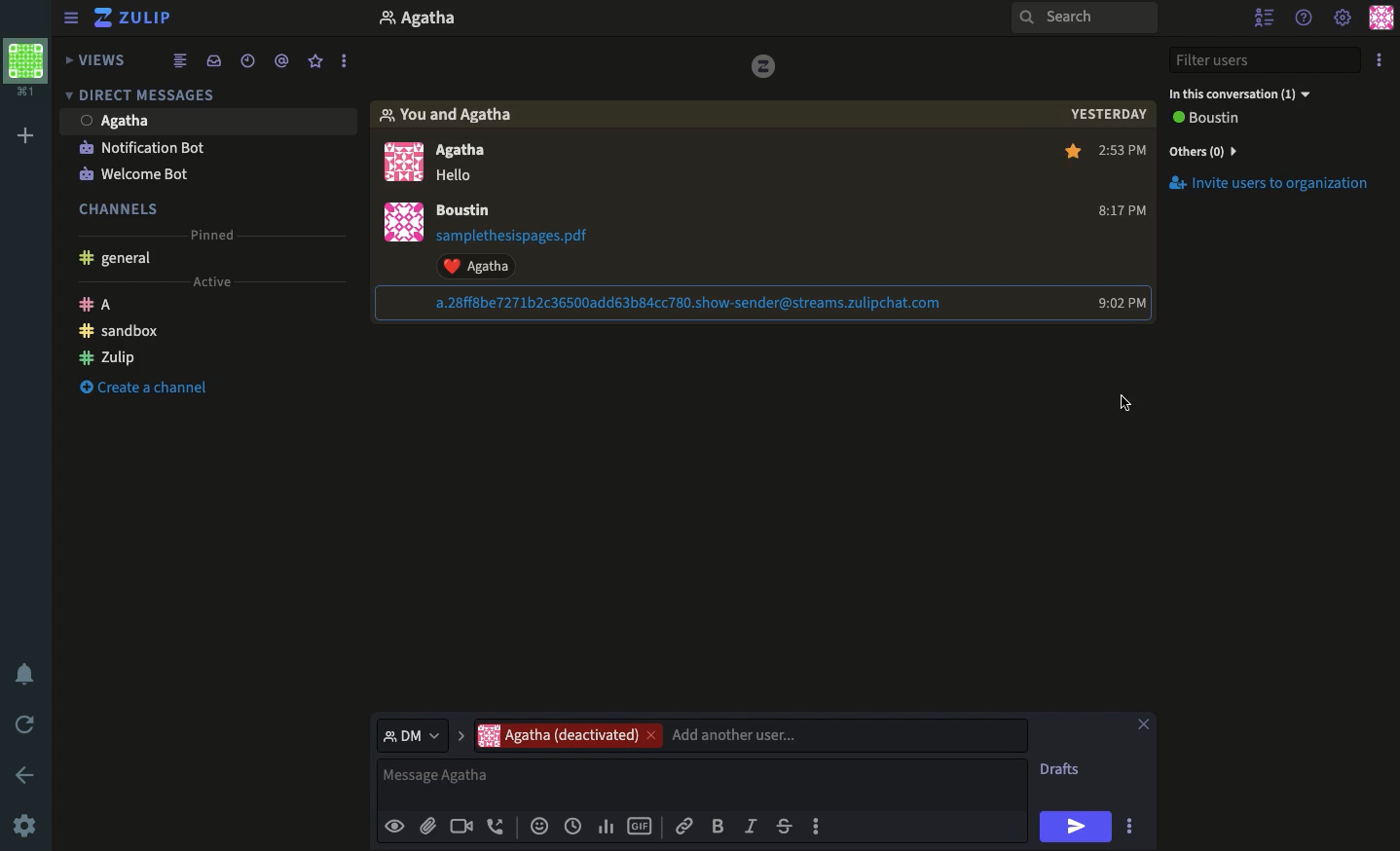 The width and height of the screenshot is (1400, 851). Describe the element at coordinates (27, 724) in the screenshot. I see `Refresh` at that location.